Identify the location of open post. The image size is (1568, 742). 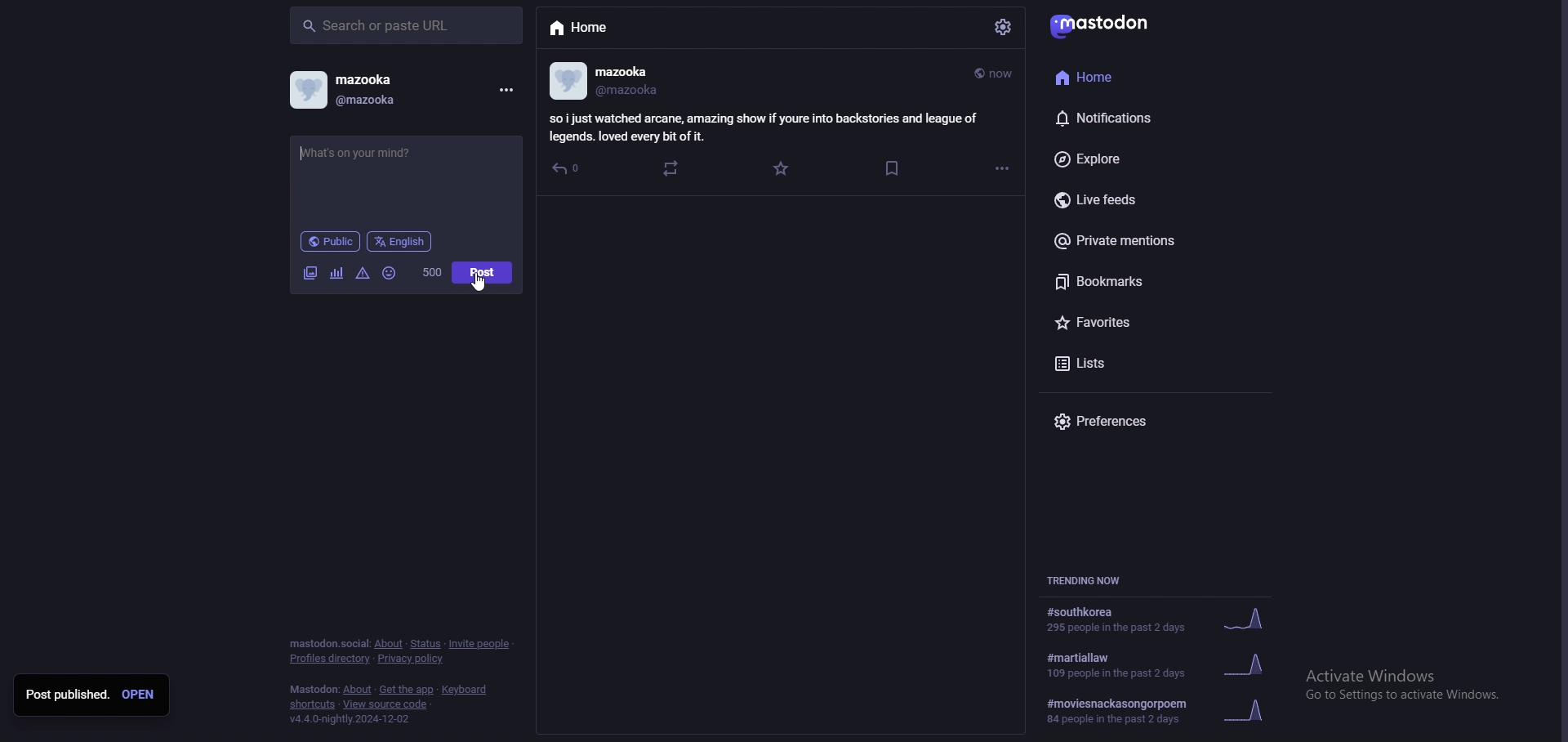
(140, 695).